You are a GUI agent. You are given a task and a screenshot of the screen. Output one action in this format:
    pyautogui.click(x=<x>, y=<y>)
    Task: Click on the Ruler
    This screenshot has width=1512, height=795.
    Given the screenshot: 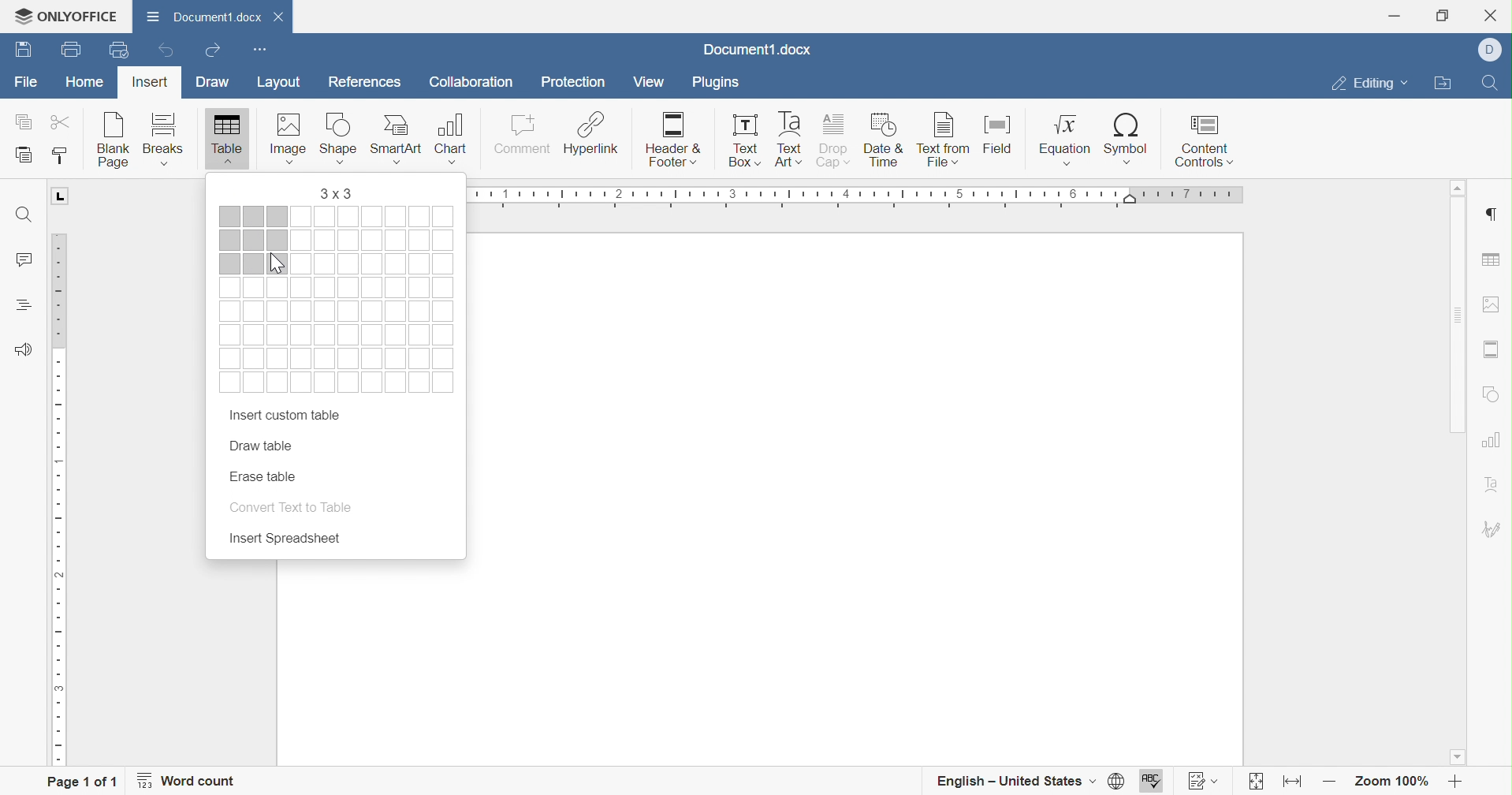 What is the action you would take?
    pyautogui.click(x=862, y=190)
    